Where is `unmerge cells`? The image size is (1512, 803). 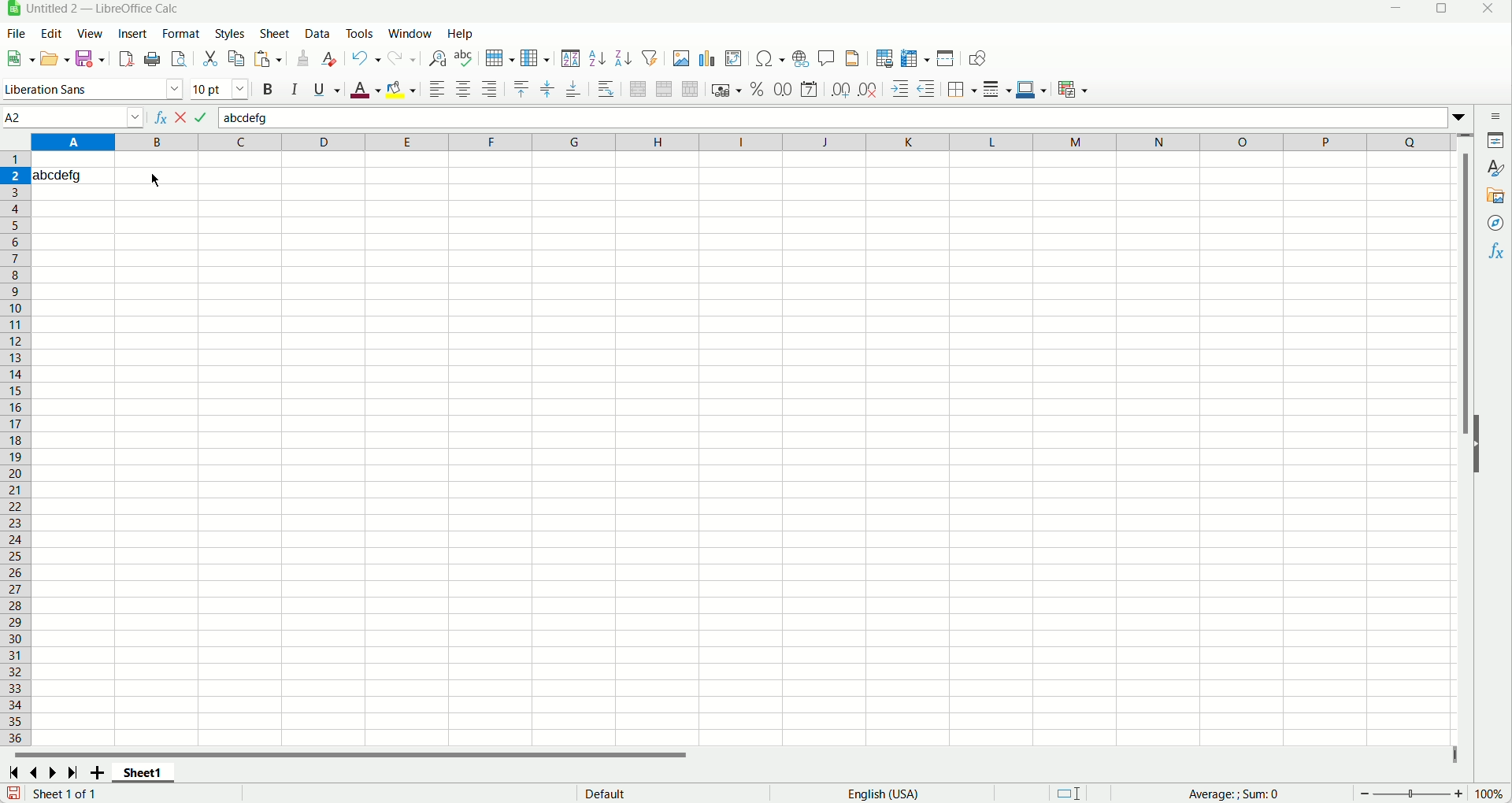
unmerge cells is located at coordinates (689, 90).